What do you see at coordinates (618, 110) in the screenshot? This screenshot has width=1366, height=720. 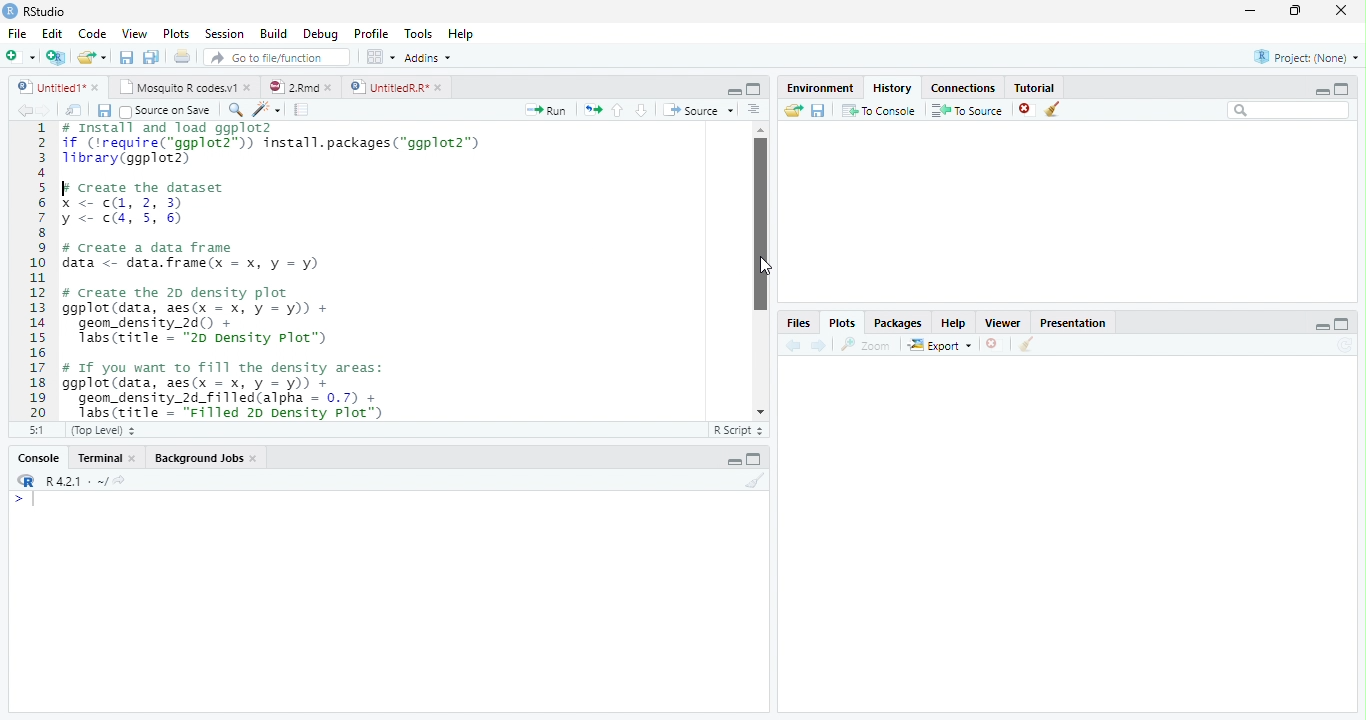 I see `up` at bounding box center [618, 110].